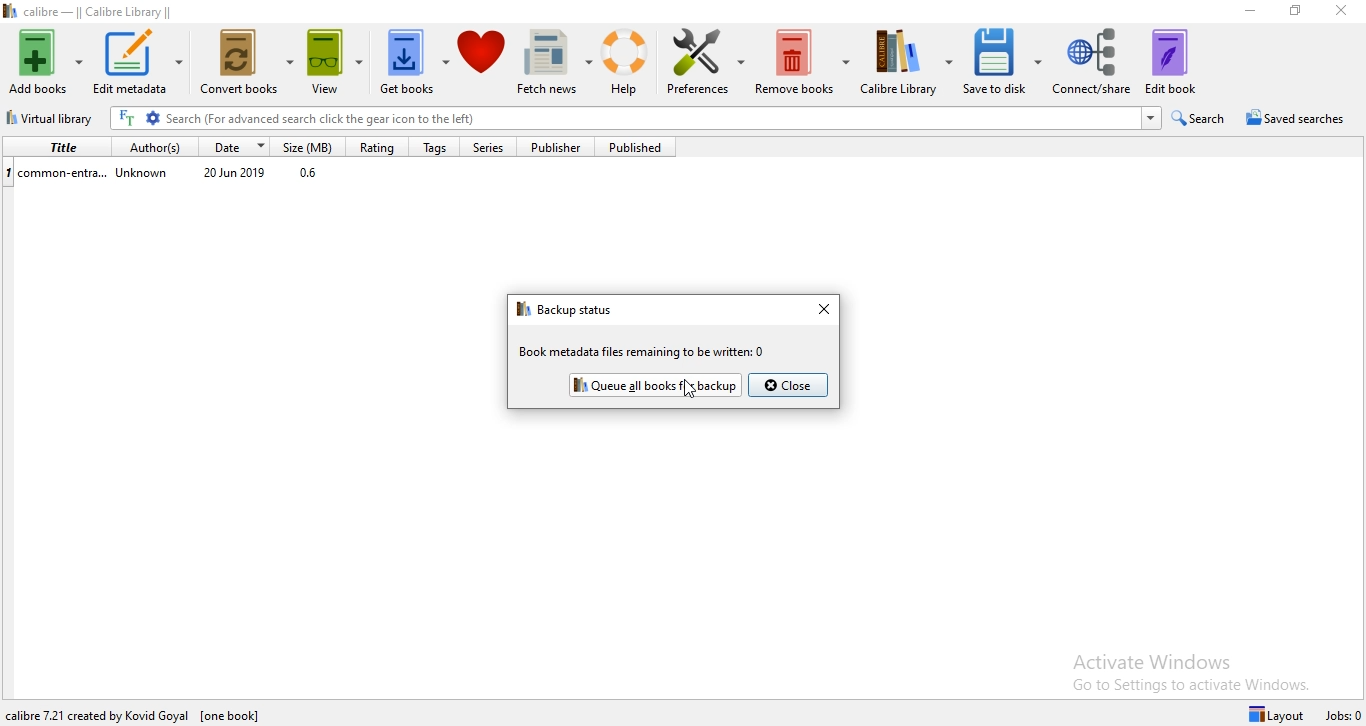 The image size is (1366, 726). Describe the element at coordinates (153, 119) in the screenshot. I see `Advanced search` at that location.